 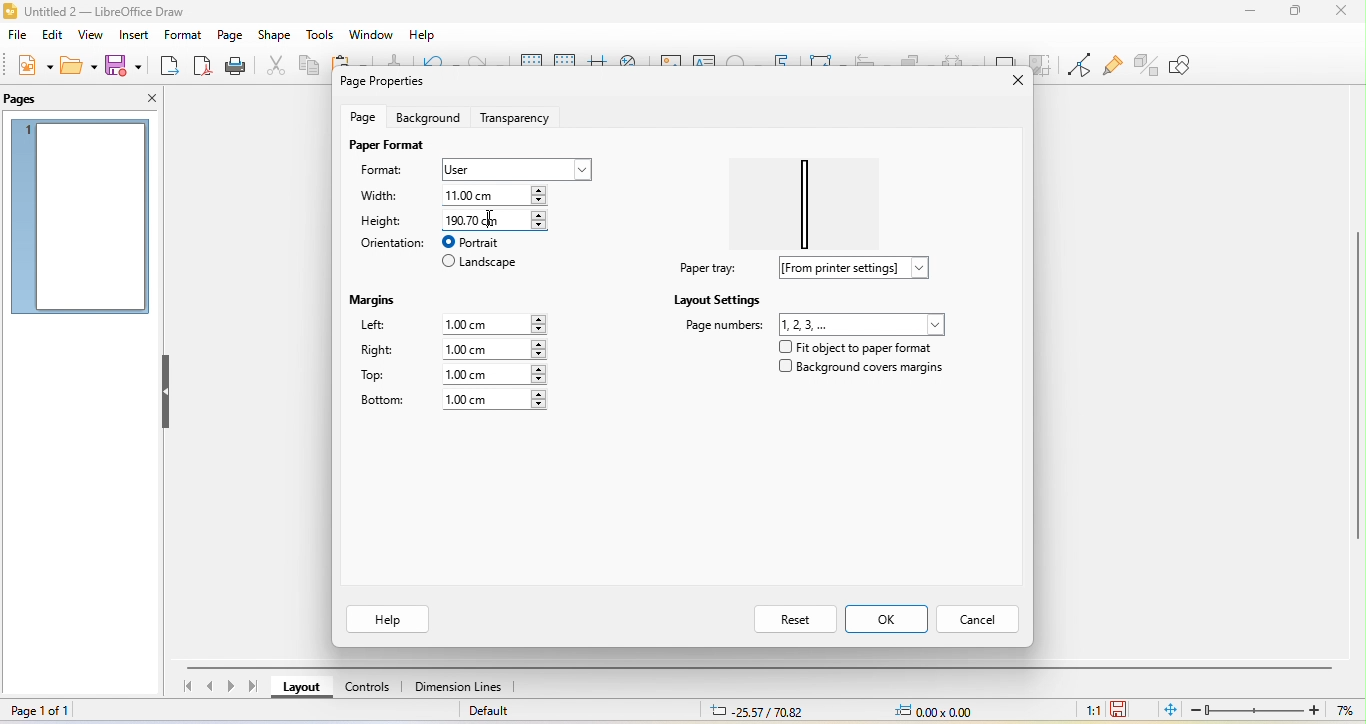 What do you see at coordinates (498, 322) in the screenshot?
I see `1.00 cm` at bounding box center [498, 322].